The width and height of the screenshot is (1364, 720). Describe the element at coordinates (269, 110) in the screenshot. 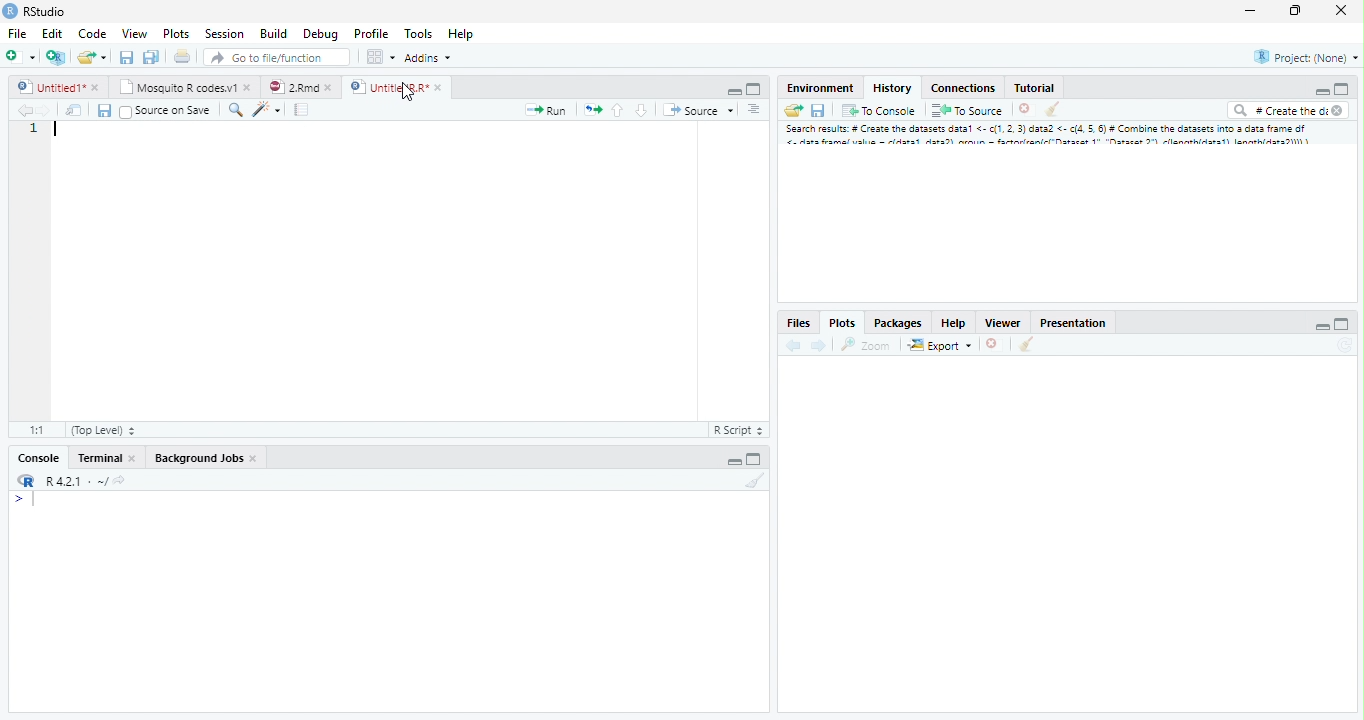

I see `Code beautify` at that location.